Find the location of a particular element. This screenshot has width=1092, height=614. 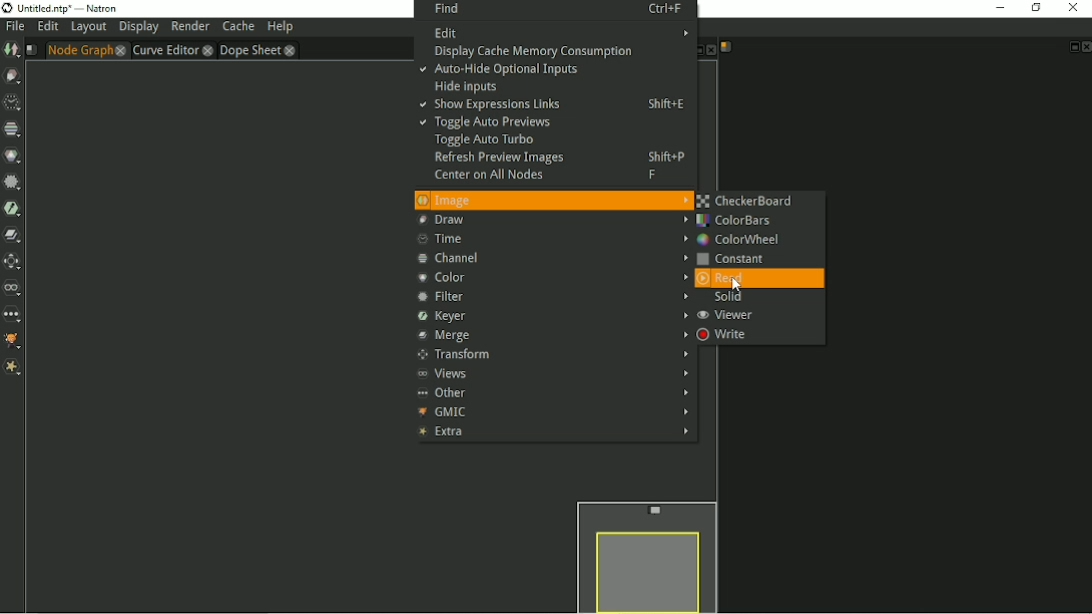

Toggle auto previews is located at coordinates (484, 124).